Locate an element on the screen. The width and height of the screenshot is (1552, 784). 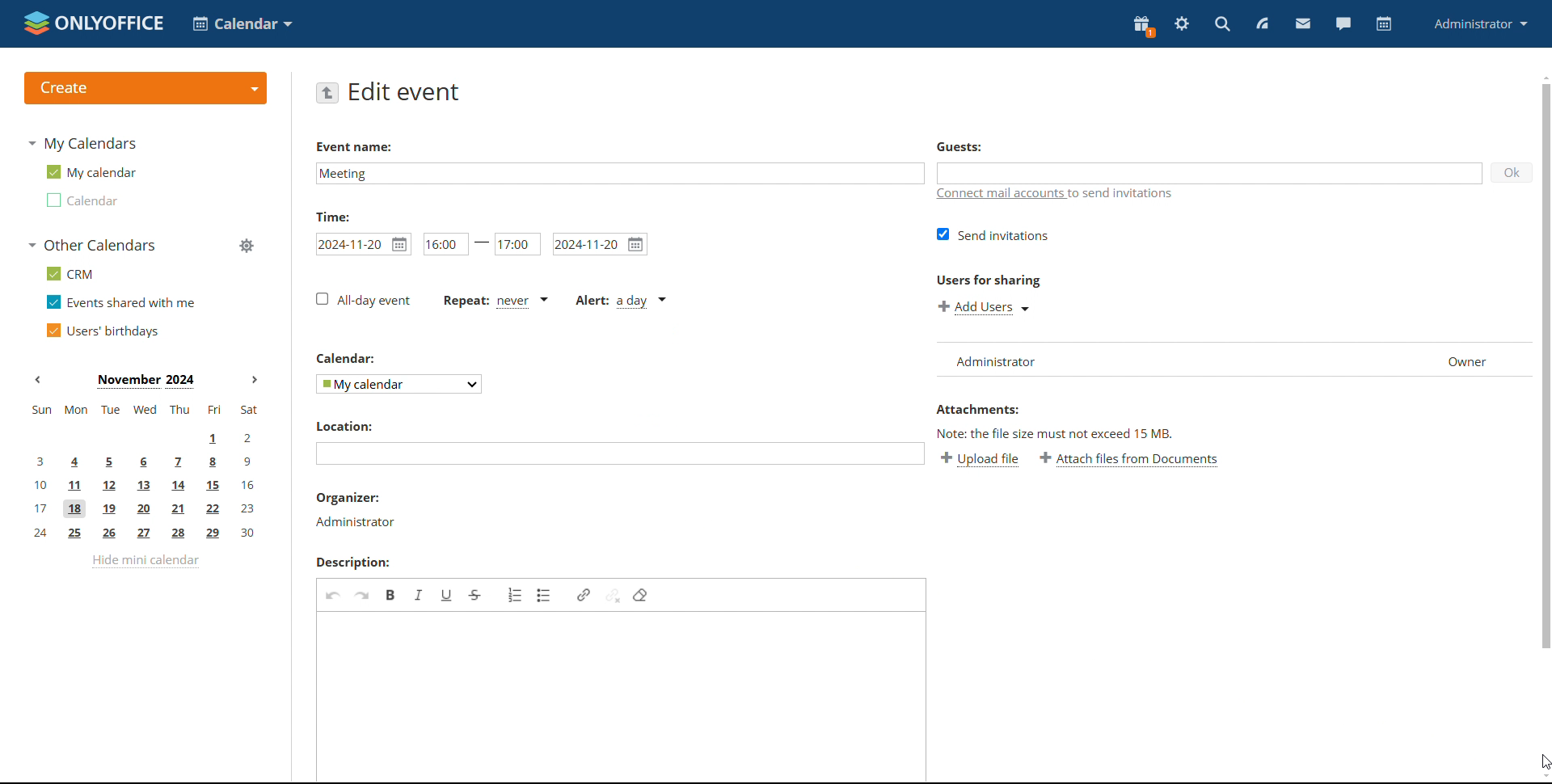
previous month is located at coordinates (42, 380).